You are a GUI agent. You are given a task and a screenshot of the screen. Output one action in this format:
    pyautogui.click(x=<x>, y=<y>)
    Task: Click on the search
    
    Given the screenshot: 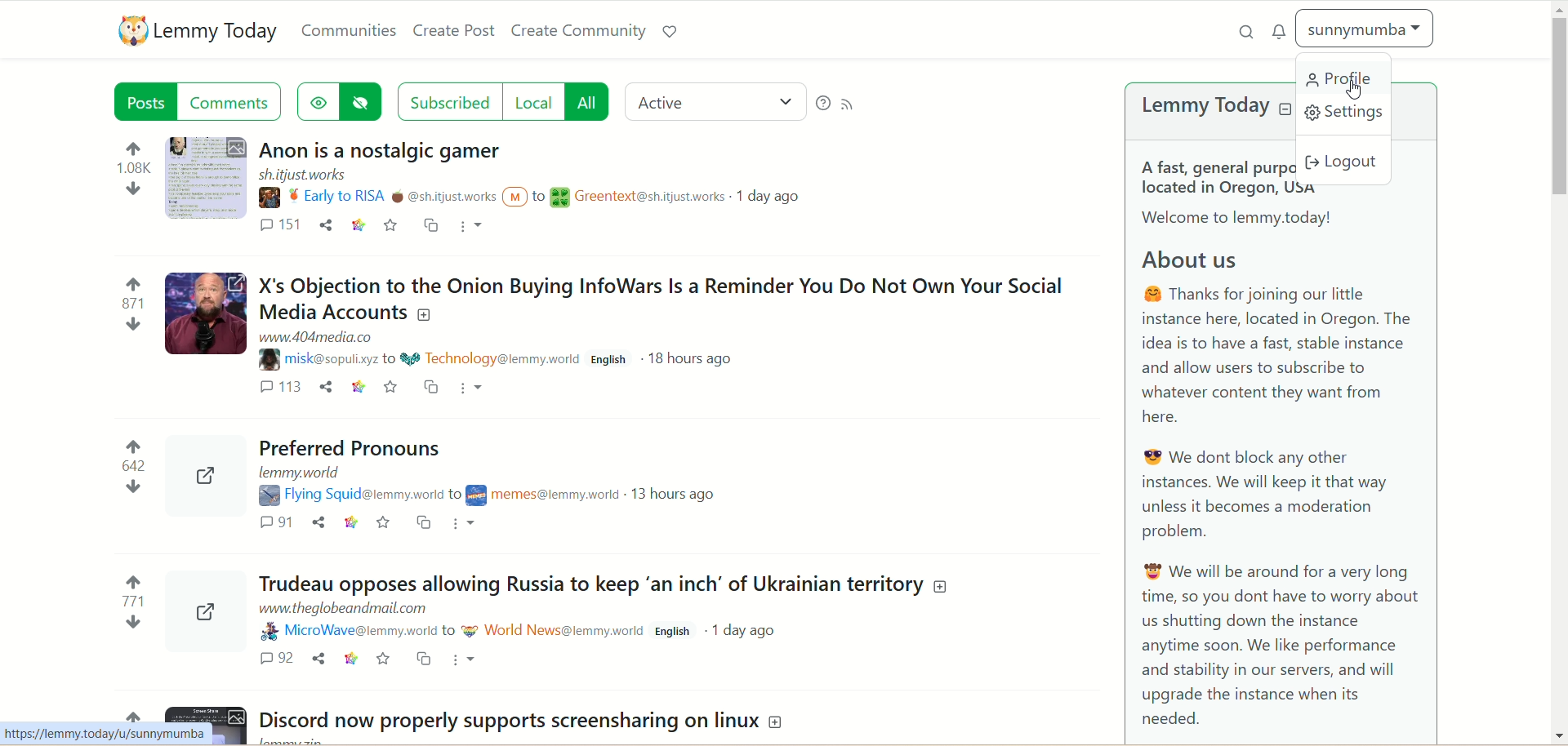 What is the action you would take?
    pyautogui.click(x=1239, y=36)
    